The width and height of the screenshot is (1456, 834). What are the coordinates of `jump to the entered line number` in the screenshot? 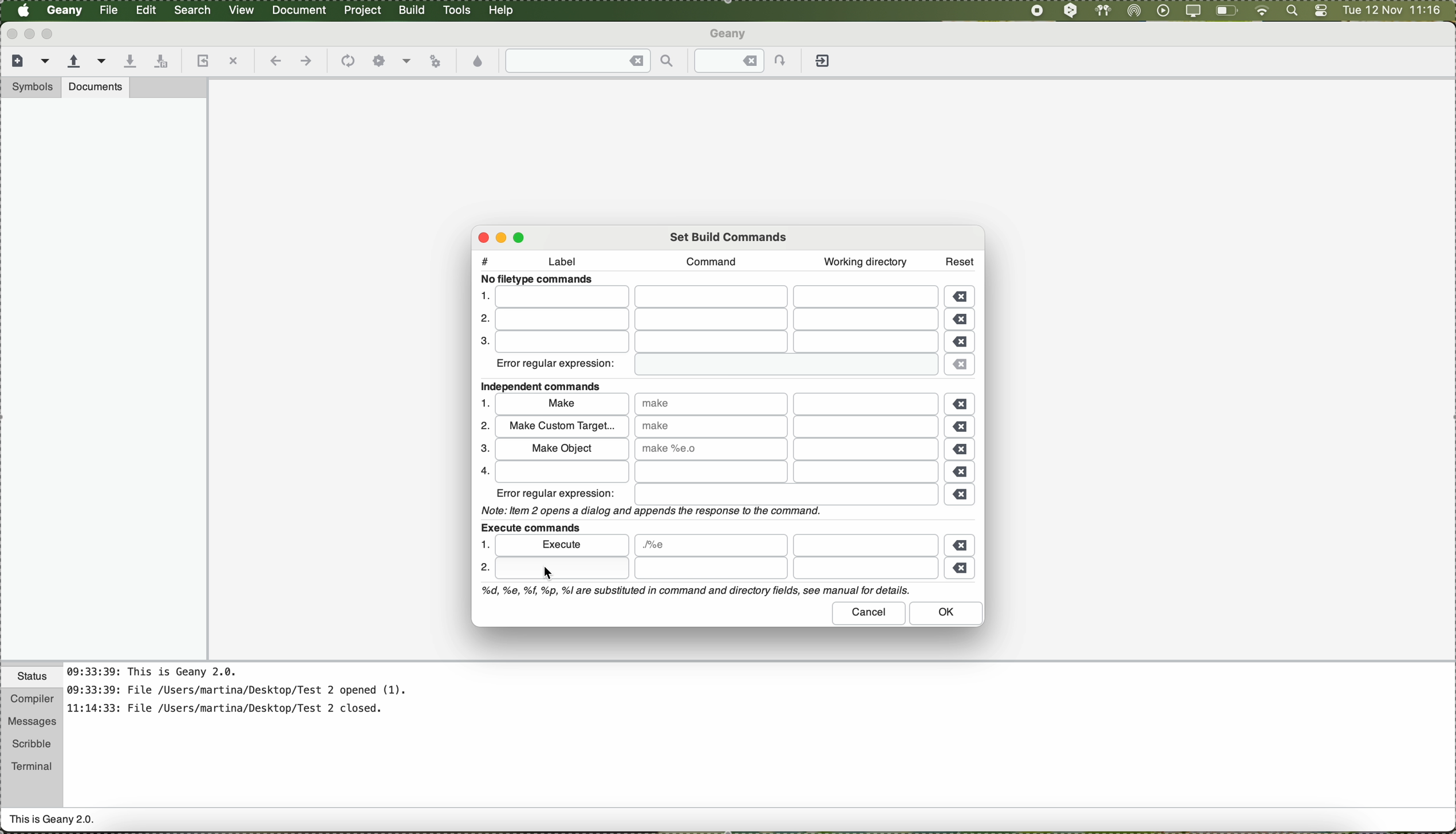 It's located at (747, 61).